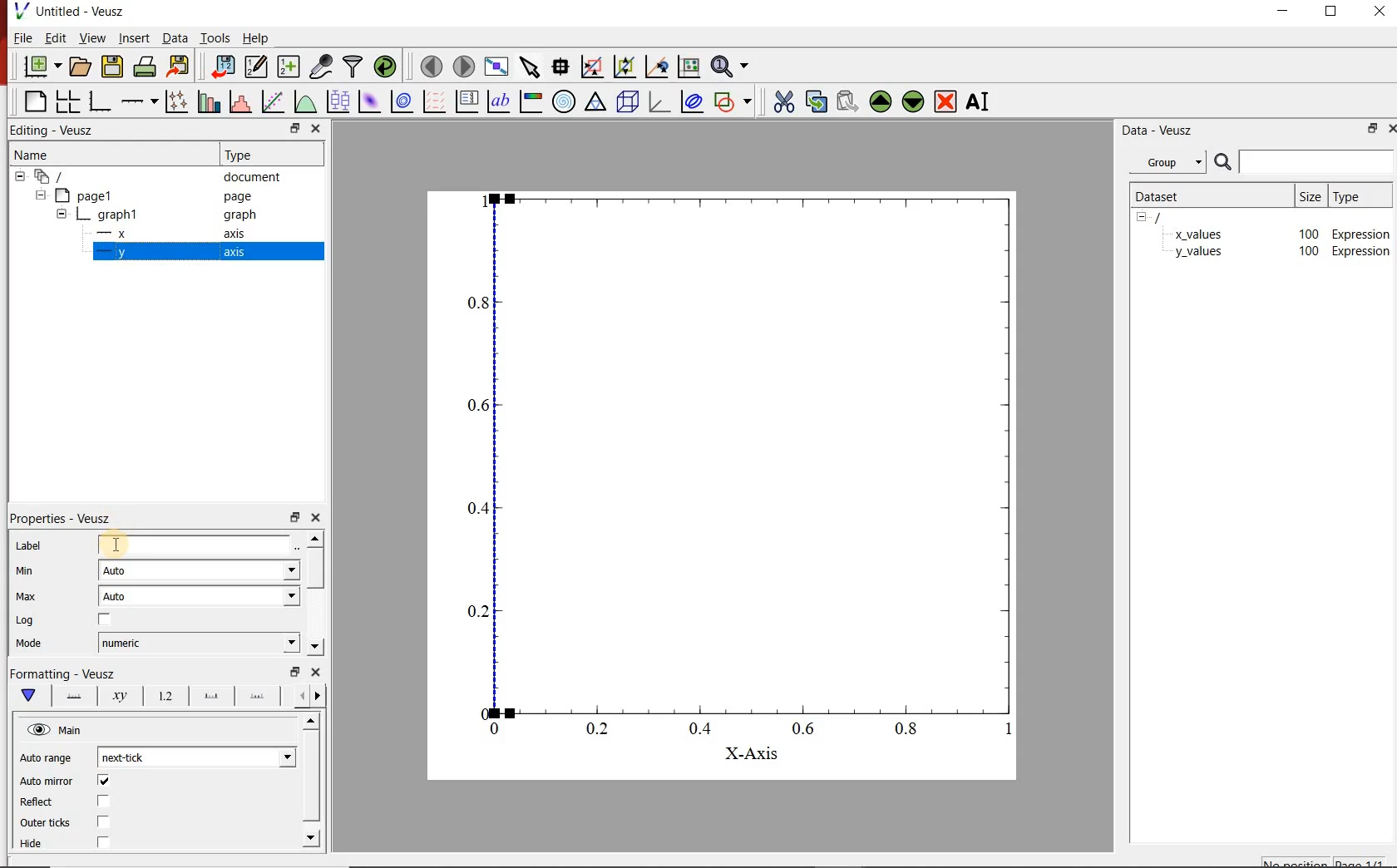 The height and width of the screenshot is (868, 1397). Describe the element at coordinates (1170, 196) in the screenshot. I see `dataset` at that location.